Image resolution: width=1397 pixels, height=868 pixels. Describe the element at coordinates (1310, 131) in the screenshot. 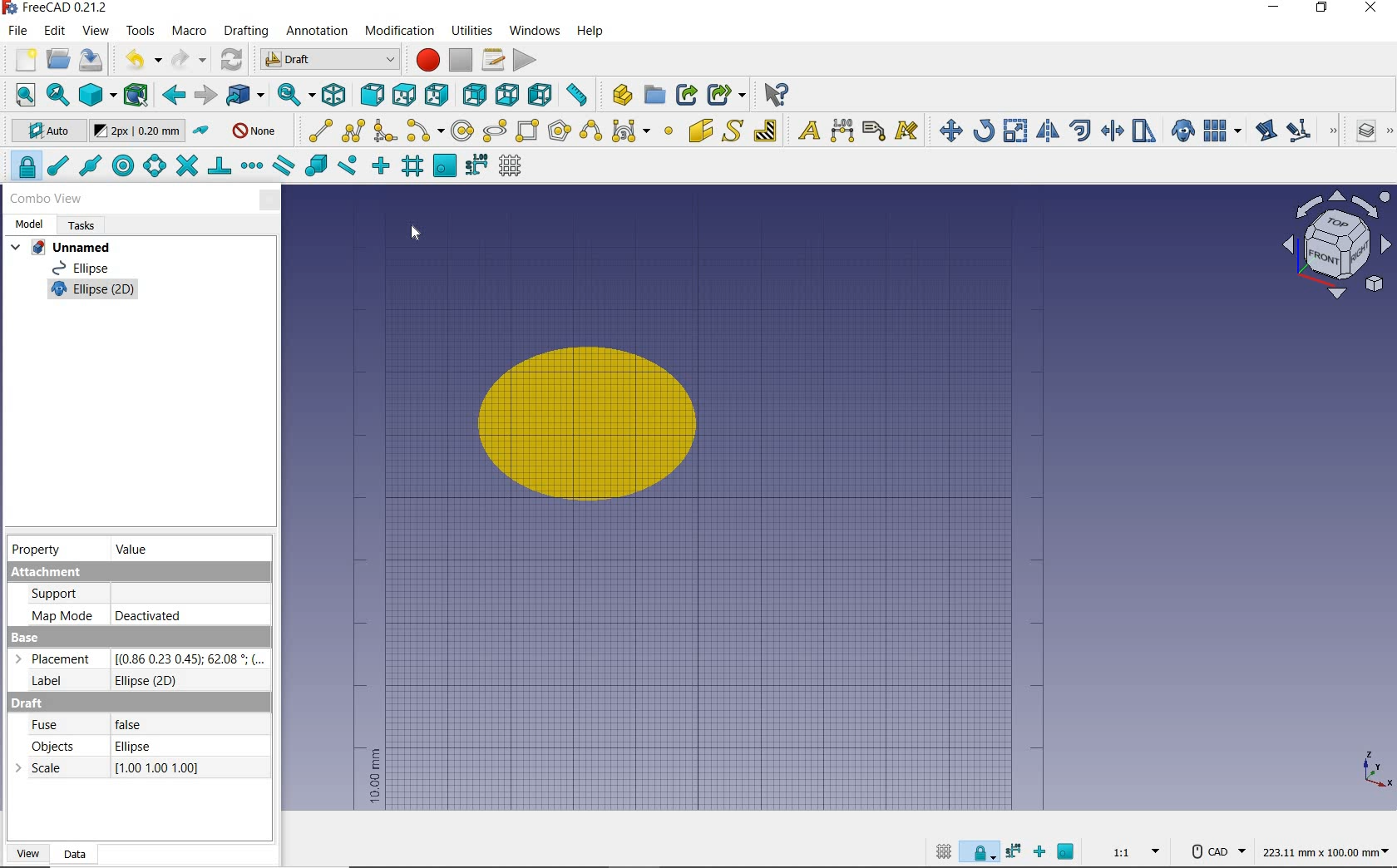

I see `sub element highlight` at that location.